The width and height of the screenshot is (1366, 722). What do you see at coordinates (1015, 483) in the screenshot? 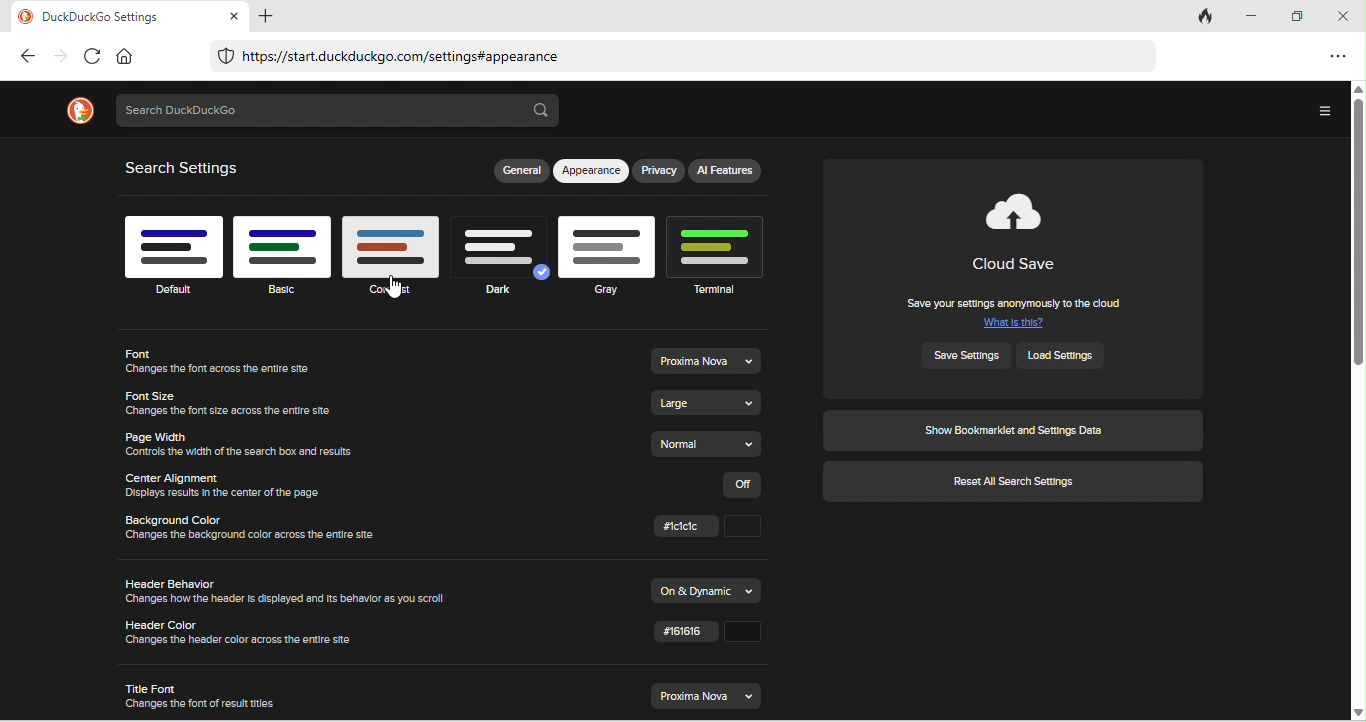
I see `reset all search settings` at bounding box center [1015, 483].